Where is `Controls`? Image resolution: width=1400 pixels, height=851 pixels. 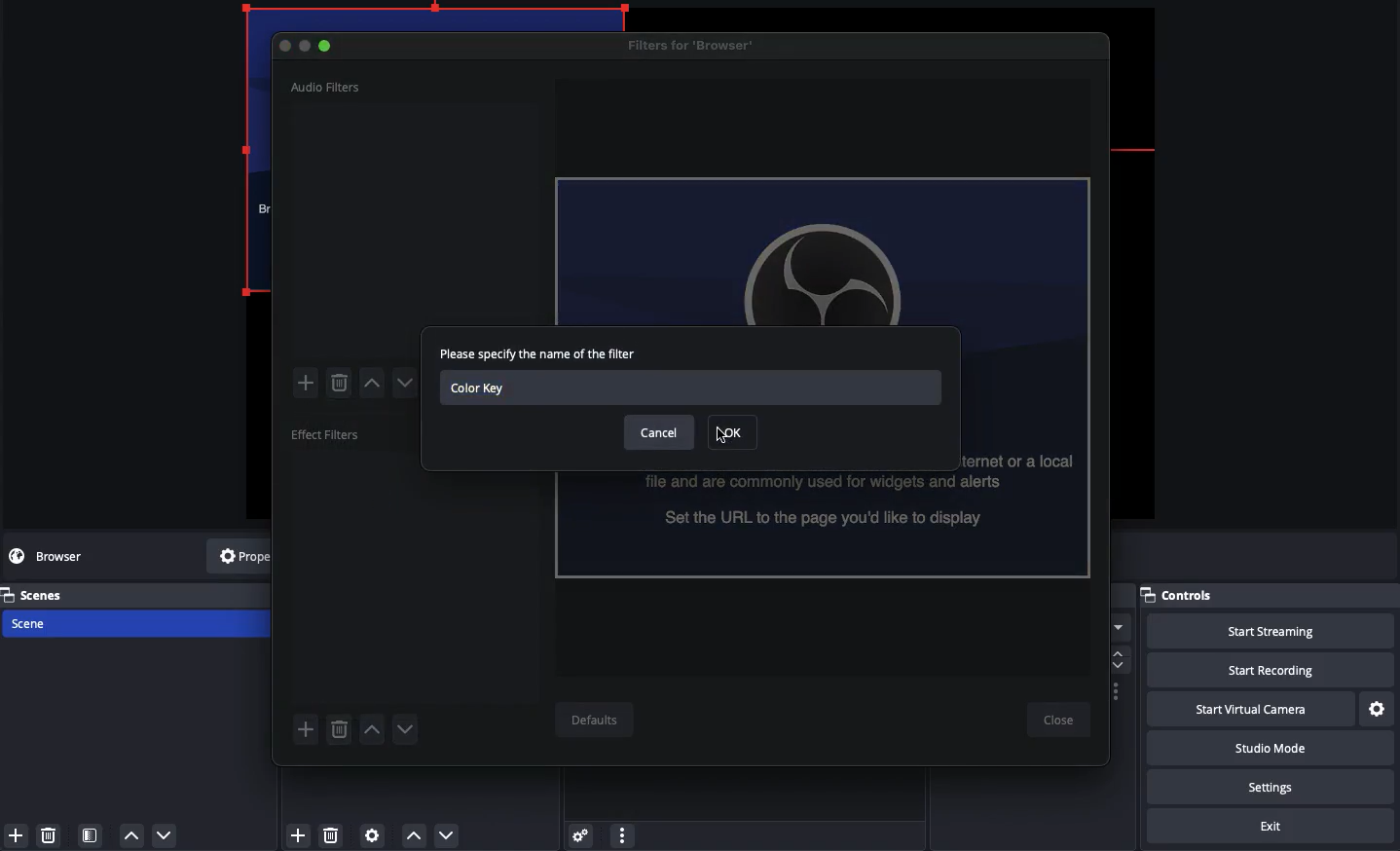 Controls is located at coordinates (1268, 595).